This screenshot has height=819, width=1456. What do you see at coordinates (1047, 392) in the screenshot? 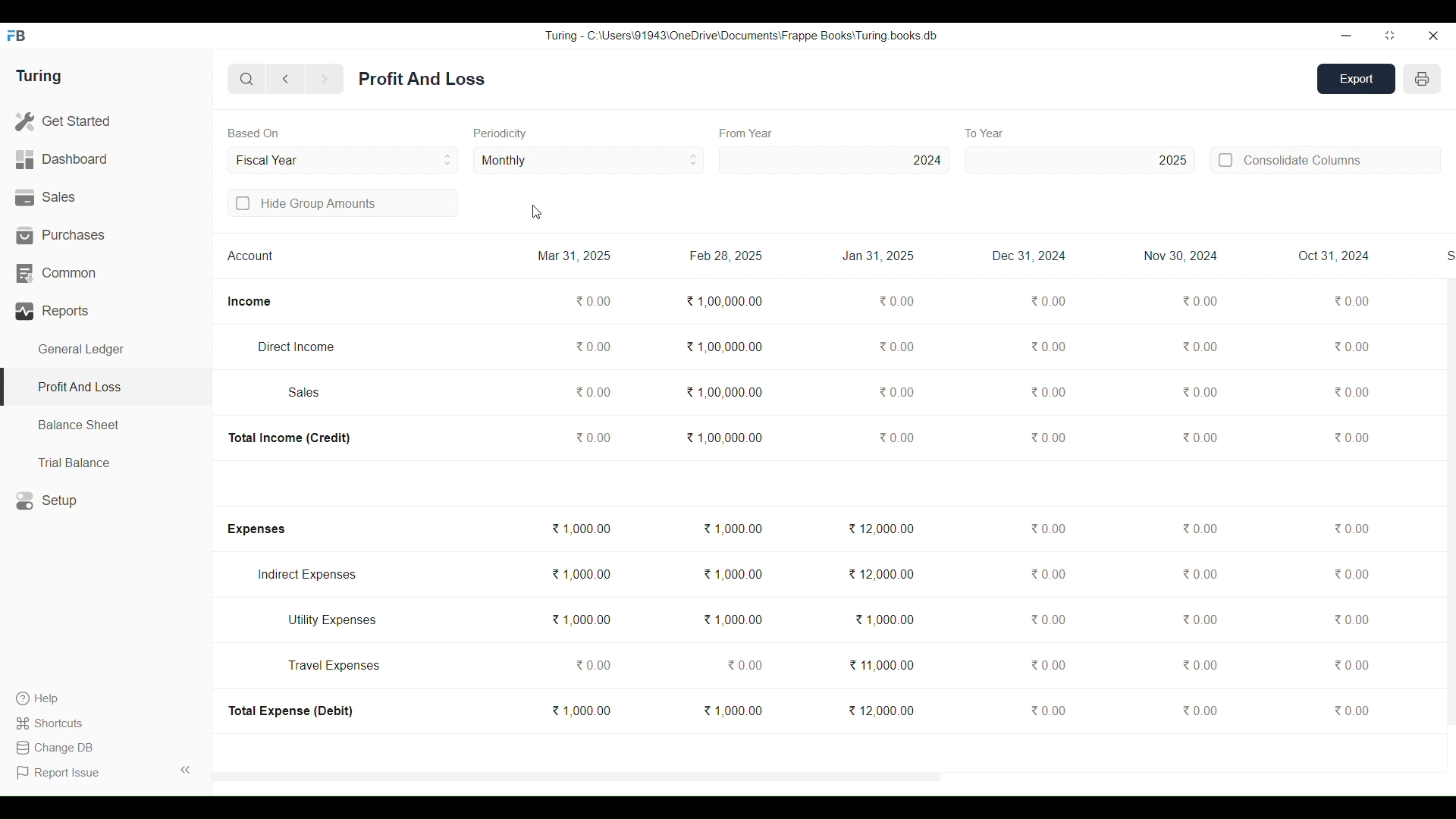
I see `0.00` at bounding box center [1047, 392].